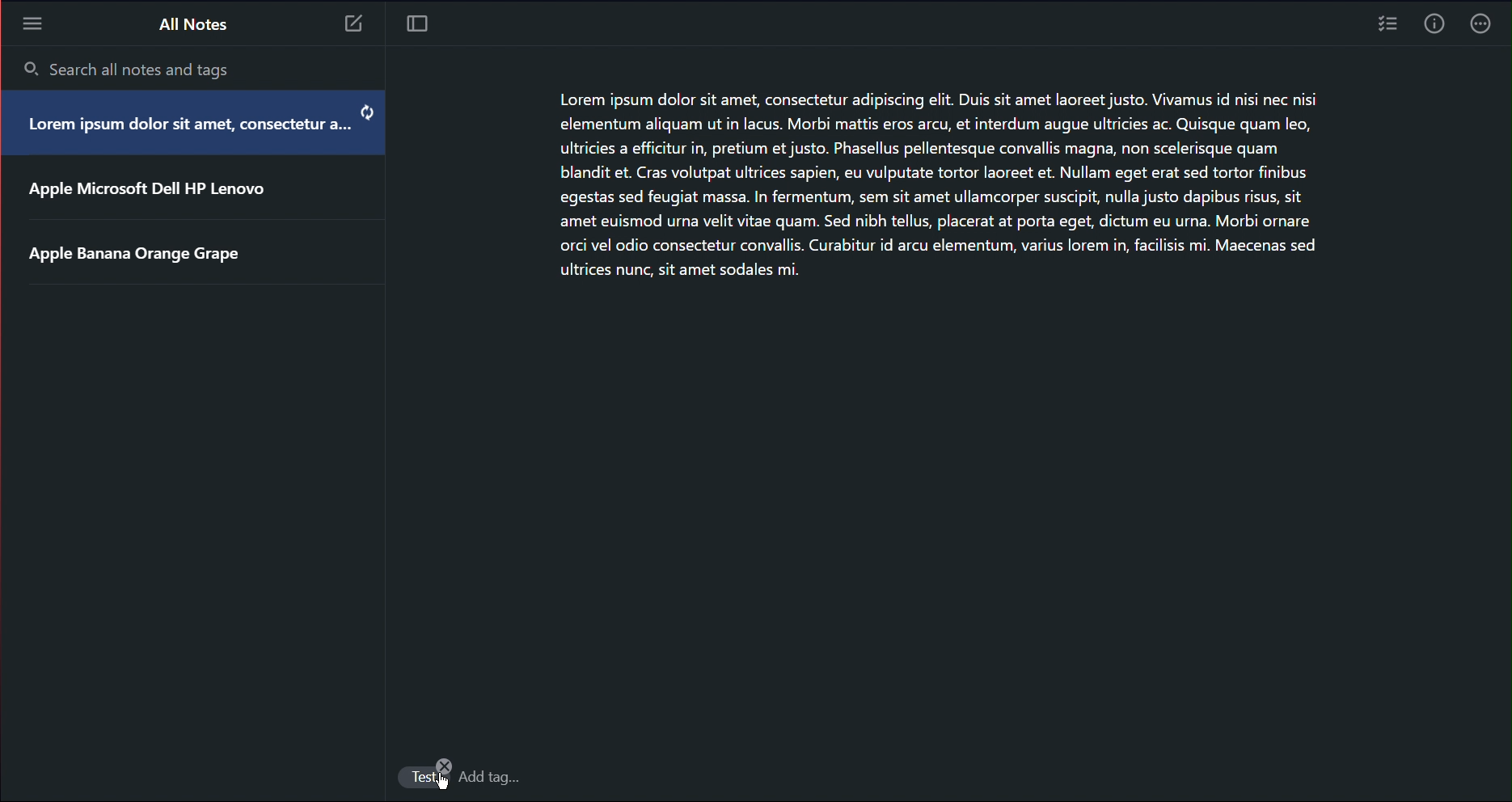  What do you see at coordinates (365, 112) in the screenshot?
I see `Syncing` at bounding box center [365, 112].